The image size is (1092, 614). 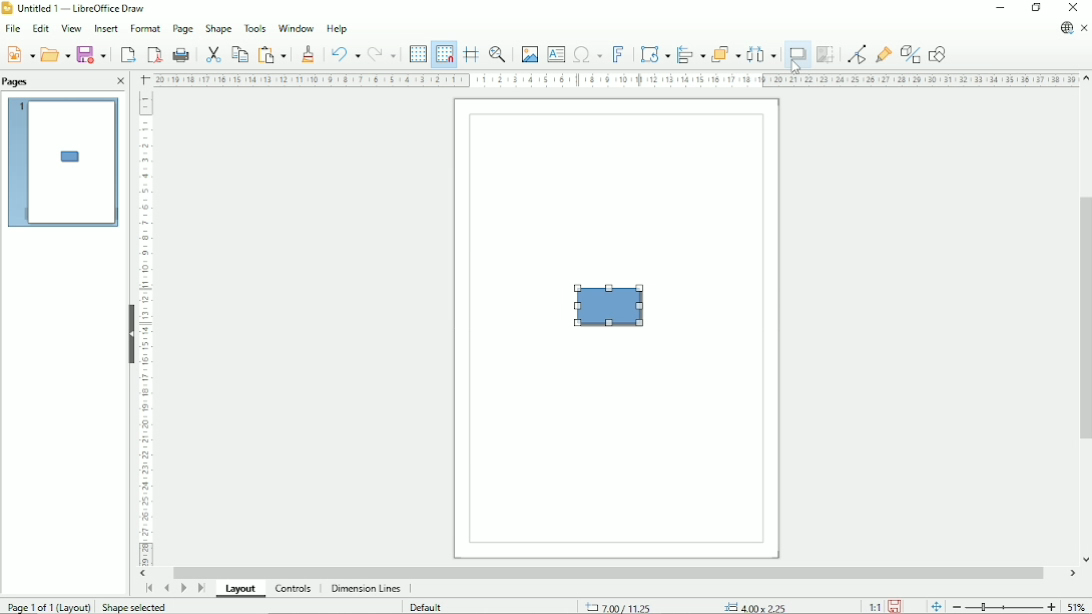 What do you see at coordinates (1074, 8) in the screenshot?
I see `Close` at bounding box center [1074, 8].